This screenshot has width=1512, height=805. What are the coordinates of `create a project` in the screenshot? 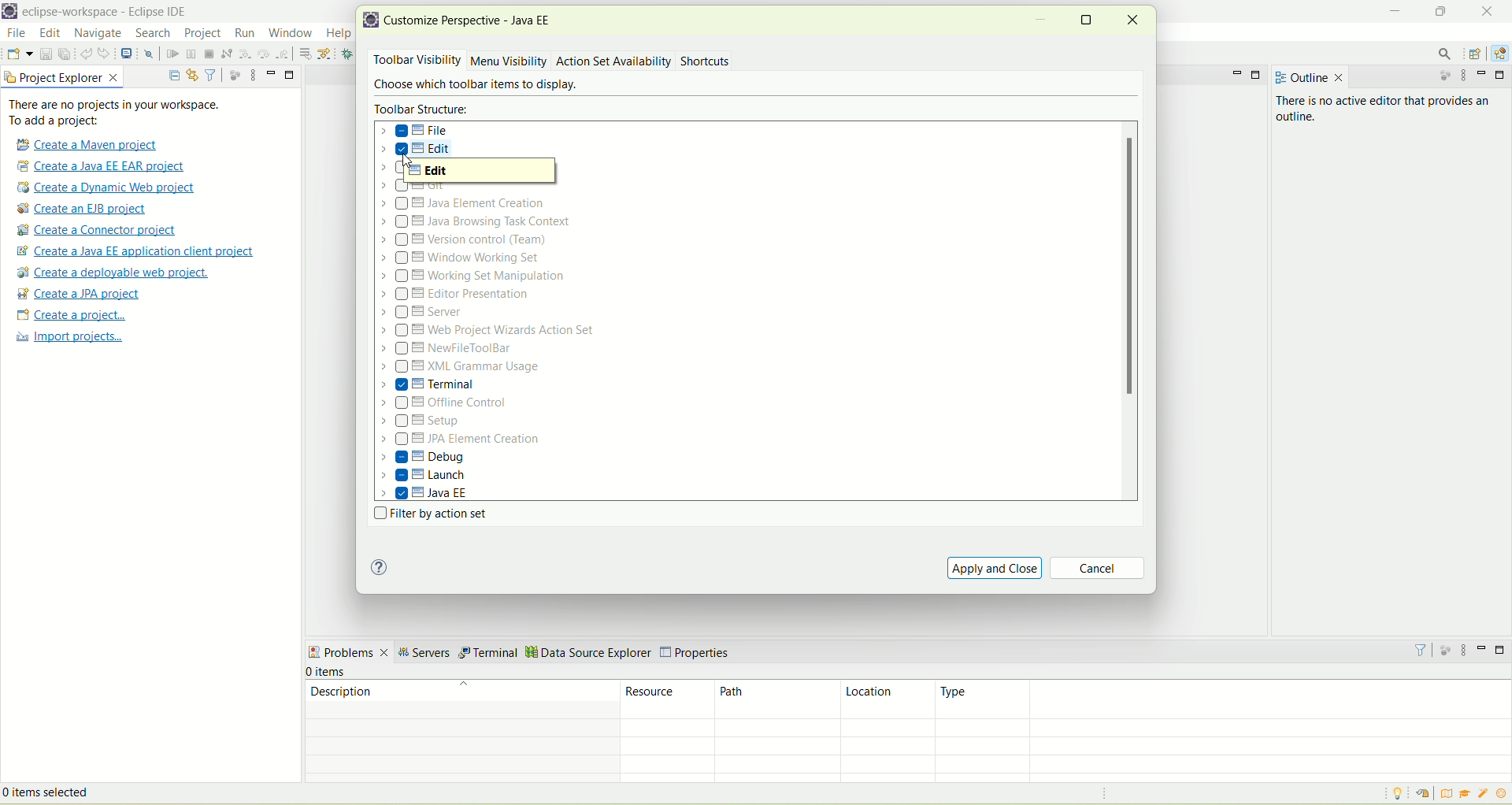 It's located at (69, 315).